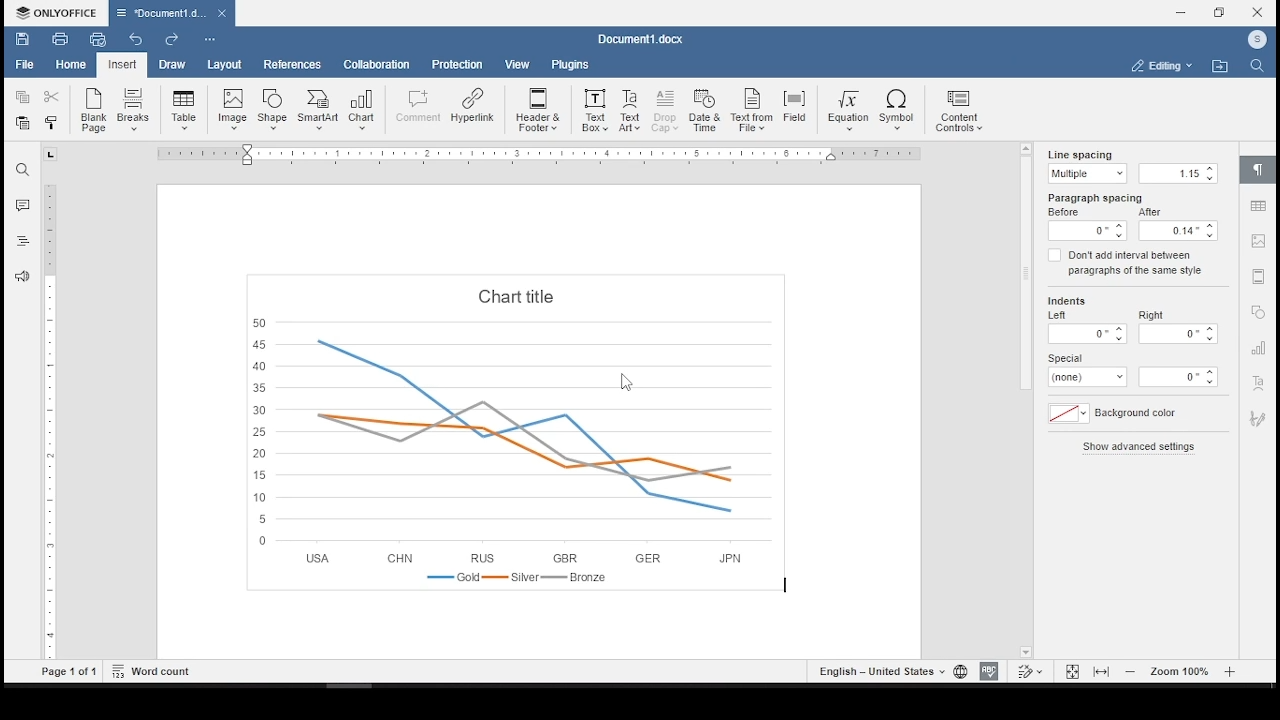 This screenshot has width=1280, height=720. What do you see at coordinates (538, 108) in the screenshot?
I see `header & footer` at bounding box center [538, 108].